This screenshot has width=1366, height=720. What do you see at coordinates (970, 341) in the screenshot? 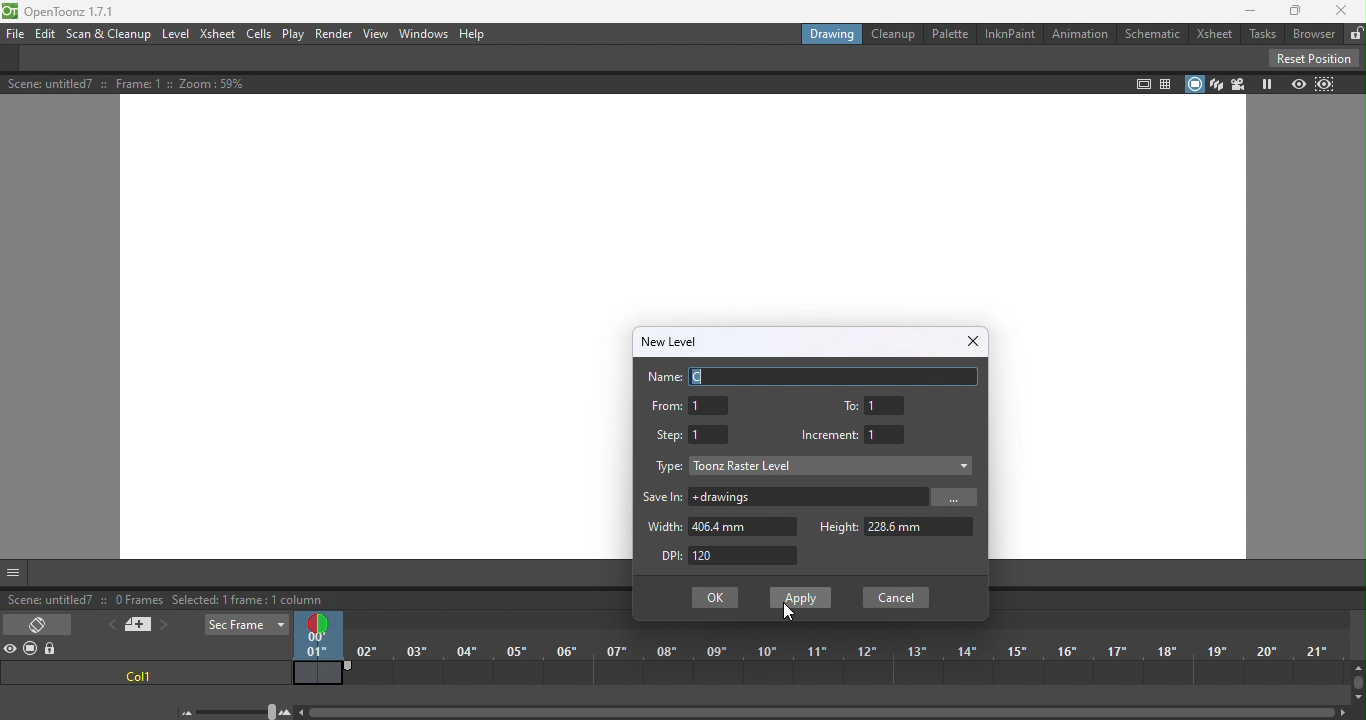
I see `Close` at bounding box center [970, 341].